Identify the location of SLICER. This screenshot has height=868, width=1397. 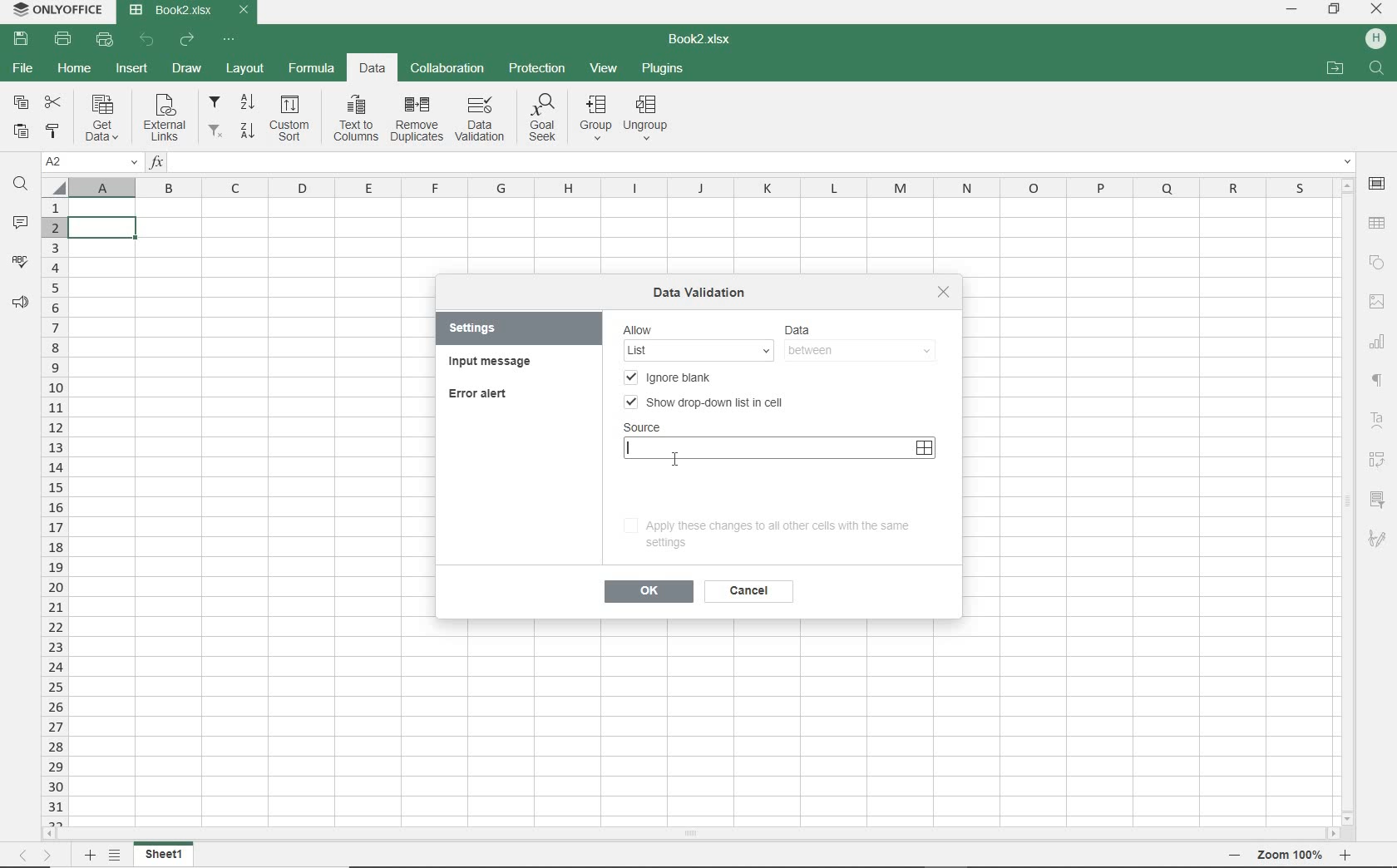
(1377, 501).